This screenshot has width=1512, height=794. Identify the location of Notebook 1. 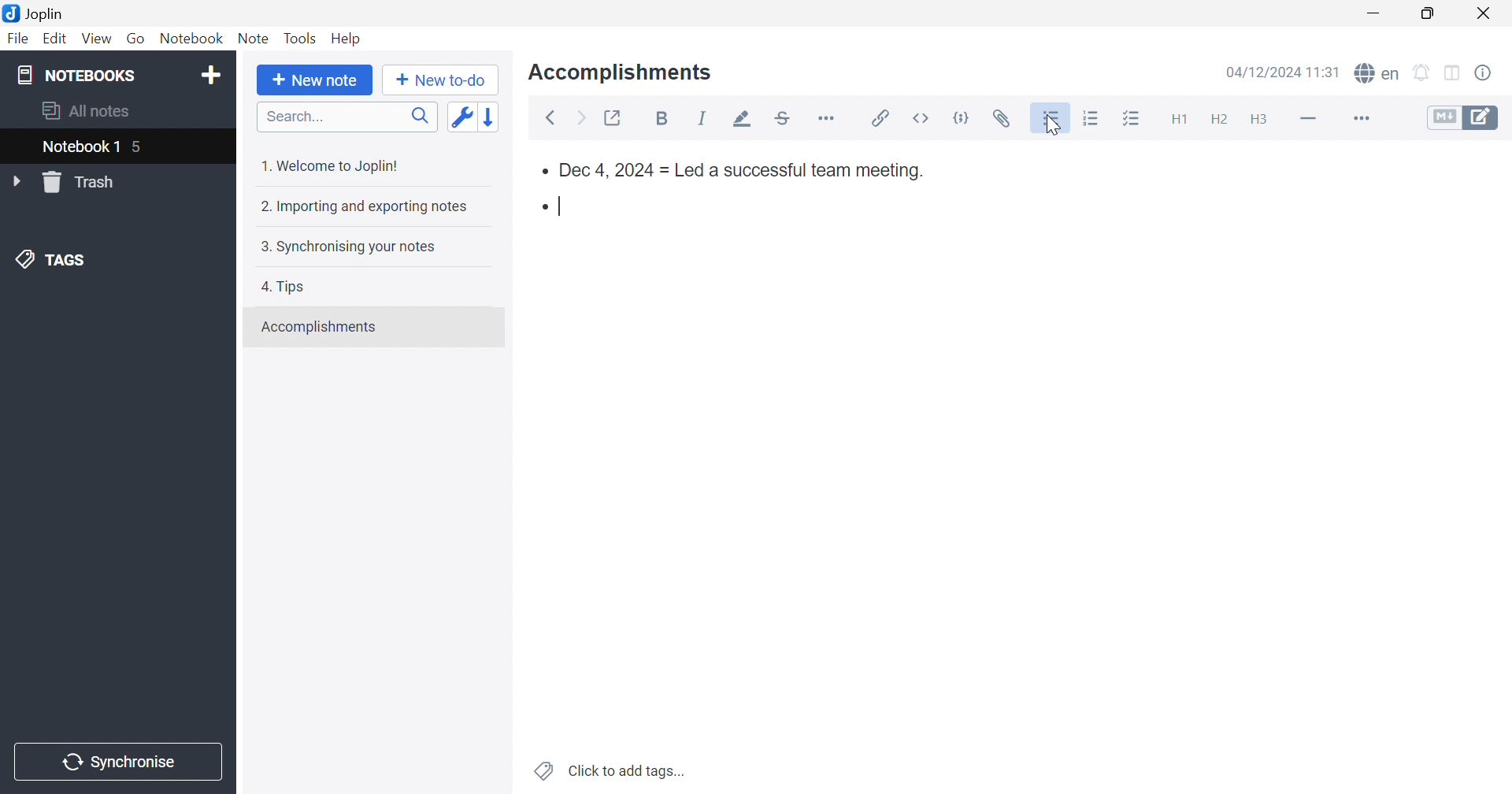
(80, 147).